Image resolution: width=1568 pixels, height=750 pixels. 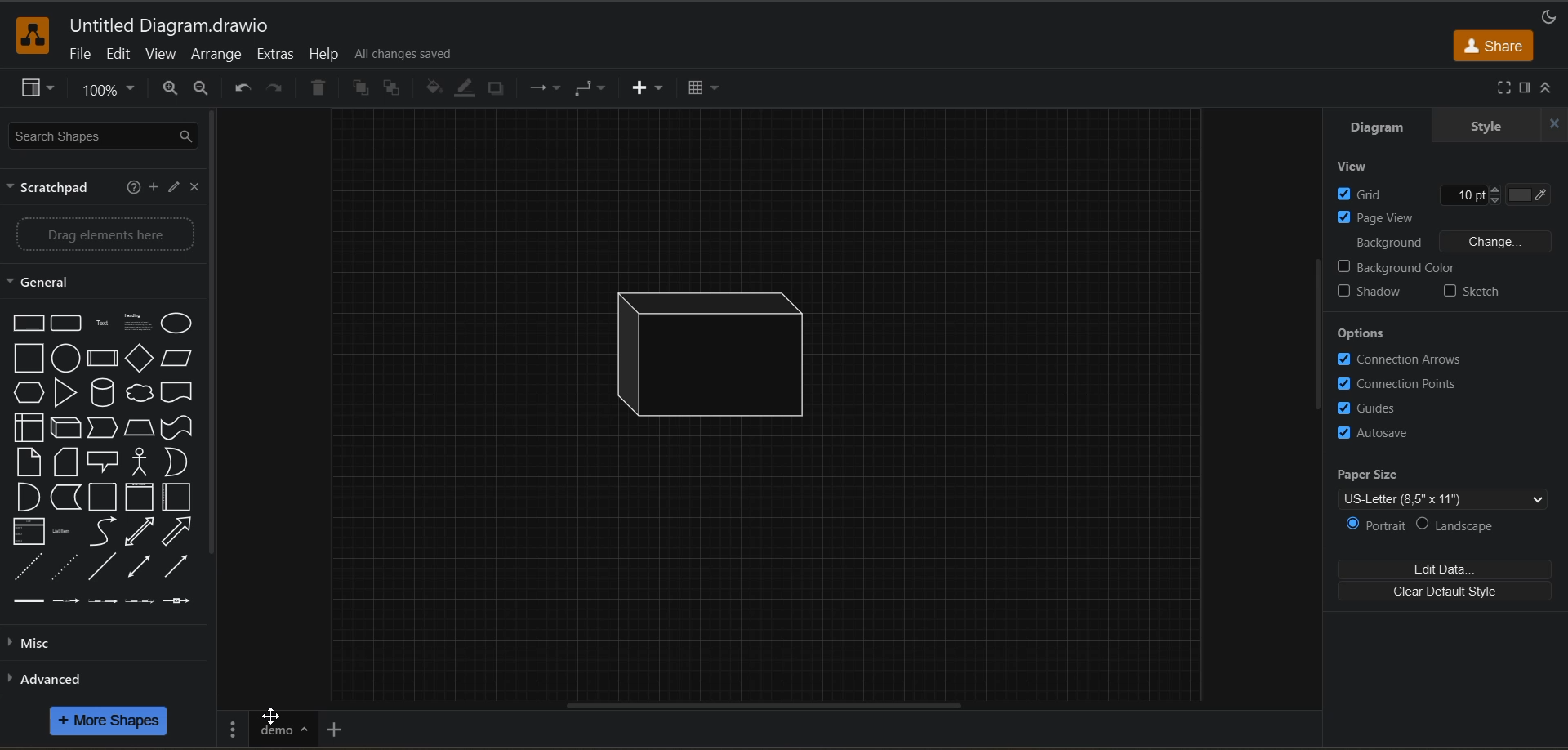 What do you see at coordinates (274, 54) in the screenshot?
I see `extras` at bounding box center [274, 54].